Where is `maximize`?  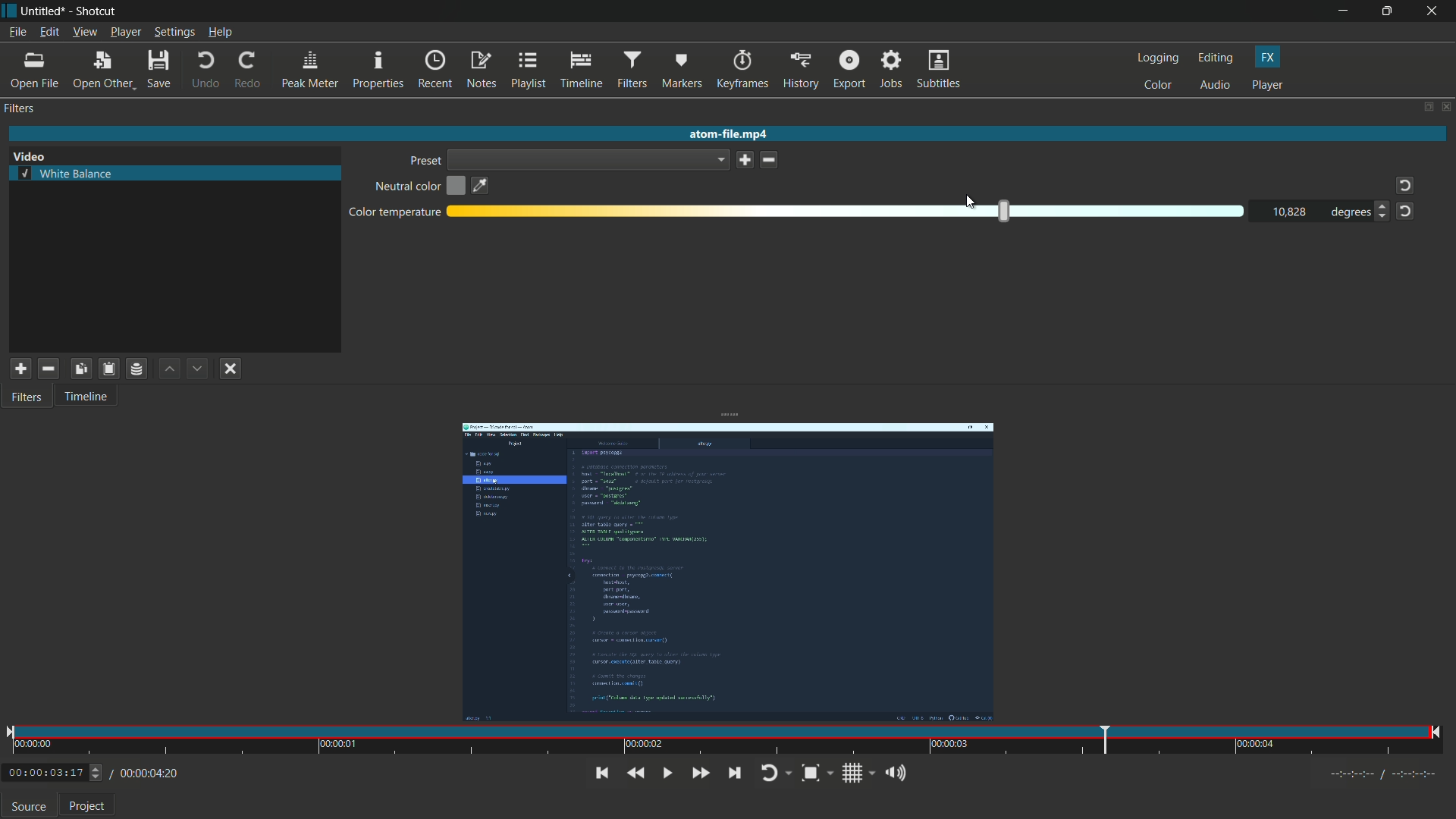 maximize is located at coordinates (1389, 11).